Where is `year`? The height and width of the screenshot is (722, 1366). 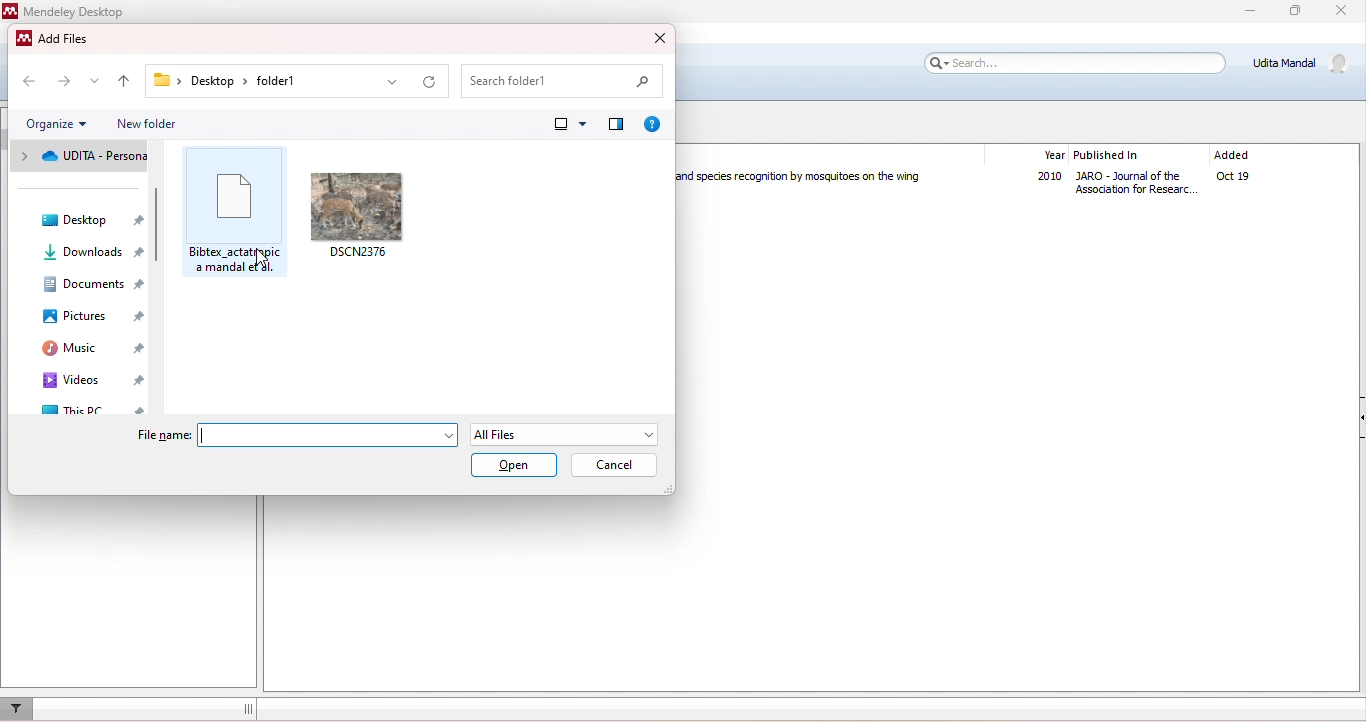 year is located at coordinates (1048, 156).